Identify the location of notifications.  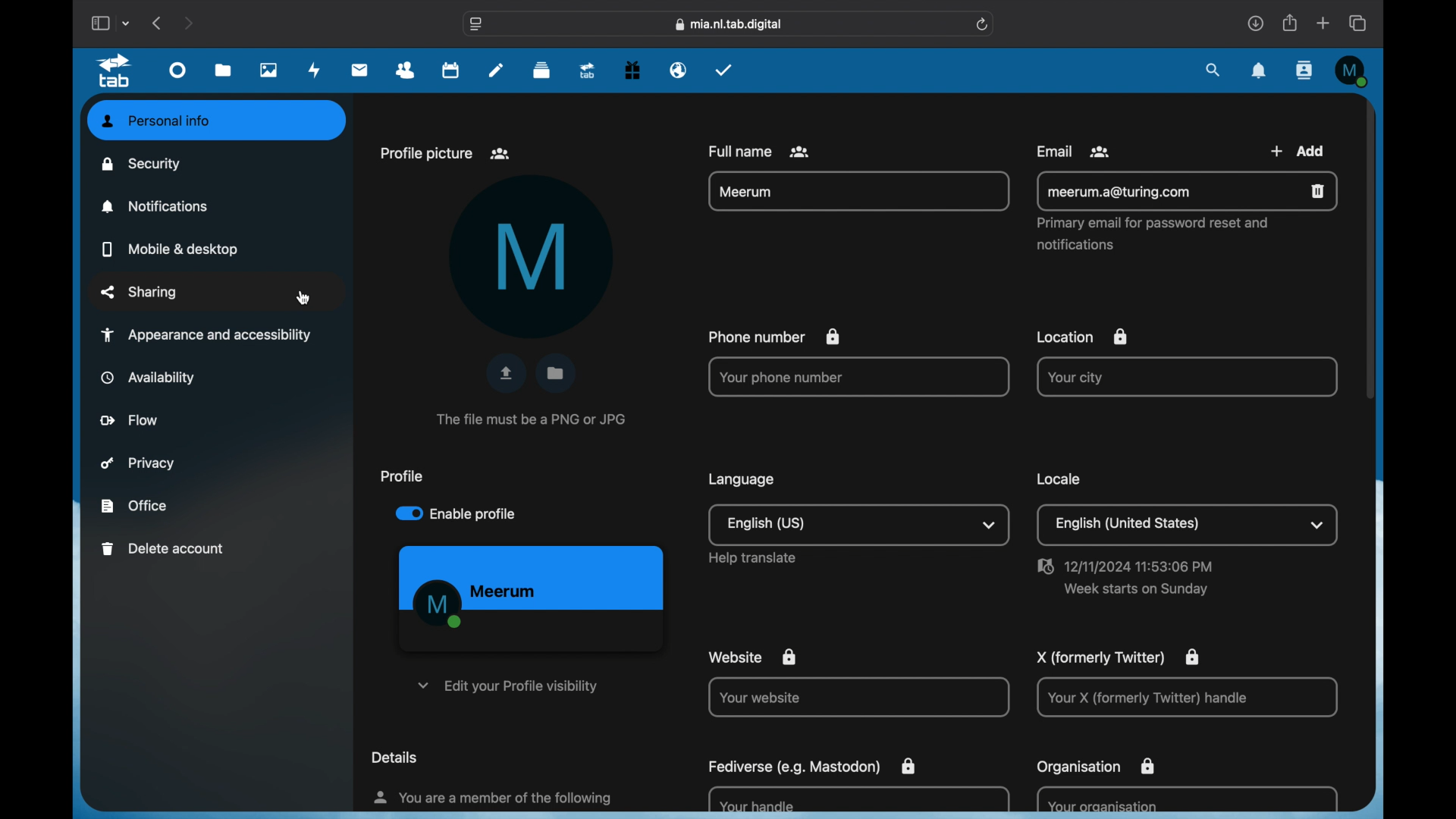
(156, 206).